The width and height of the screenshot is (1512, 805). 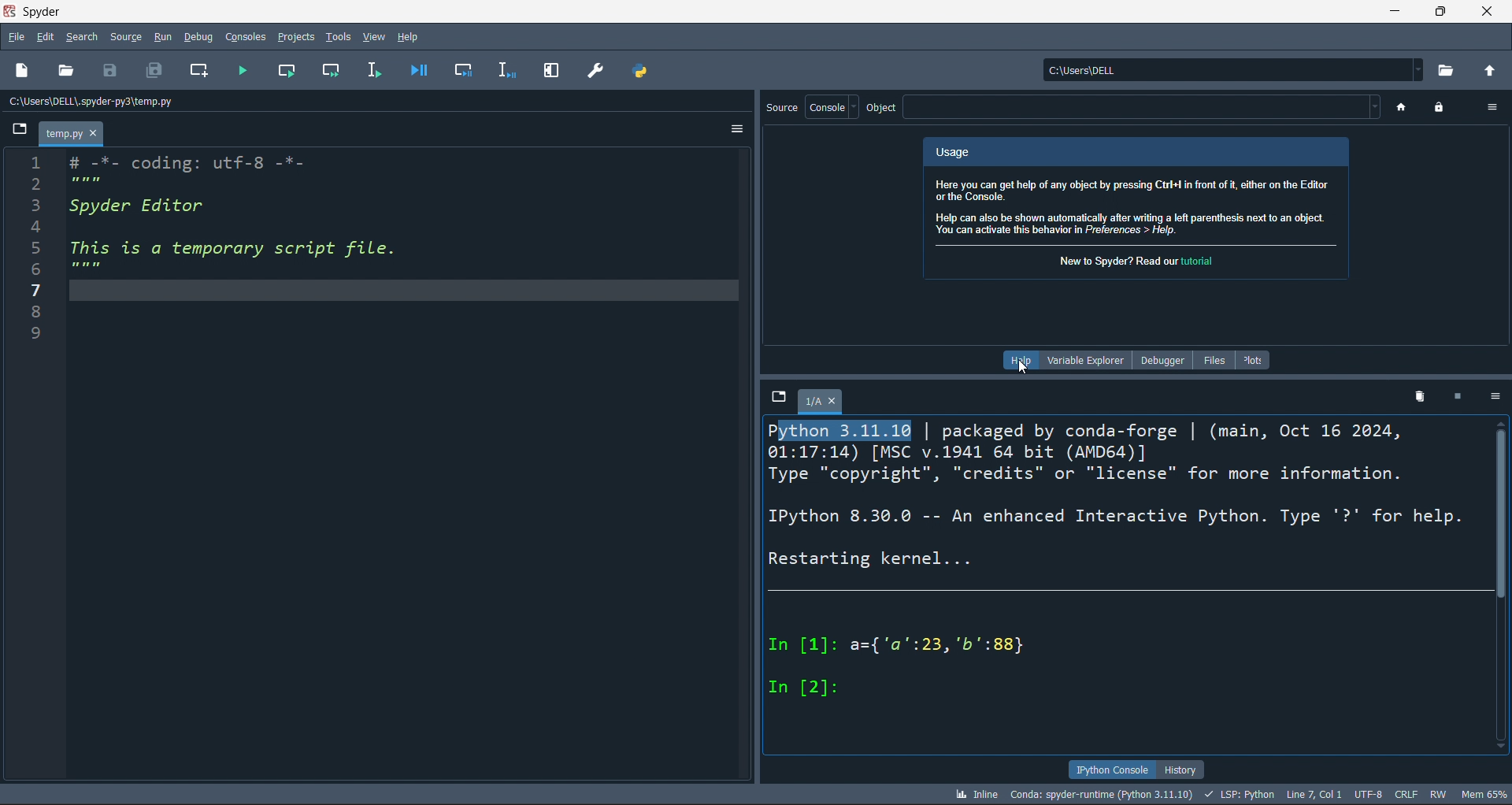 What do you see at coordinates (732, 130) in the screenshot?
I see `more options` at bounding box center [732, 130].